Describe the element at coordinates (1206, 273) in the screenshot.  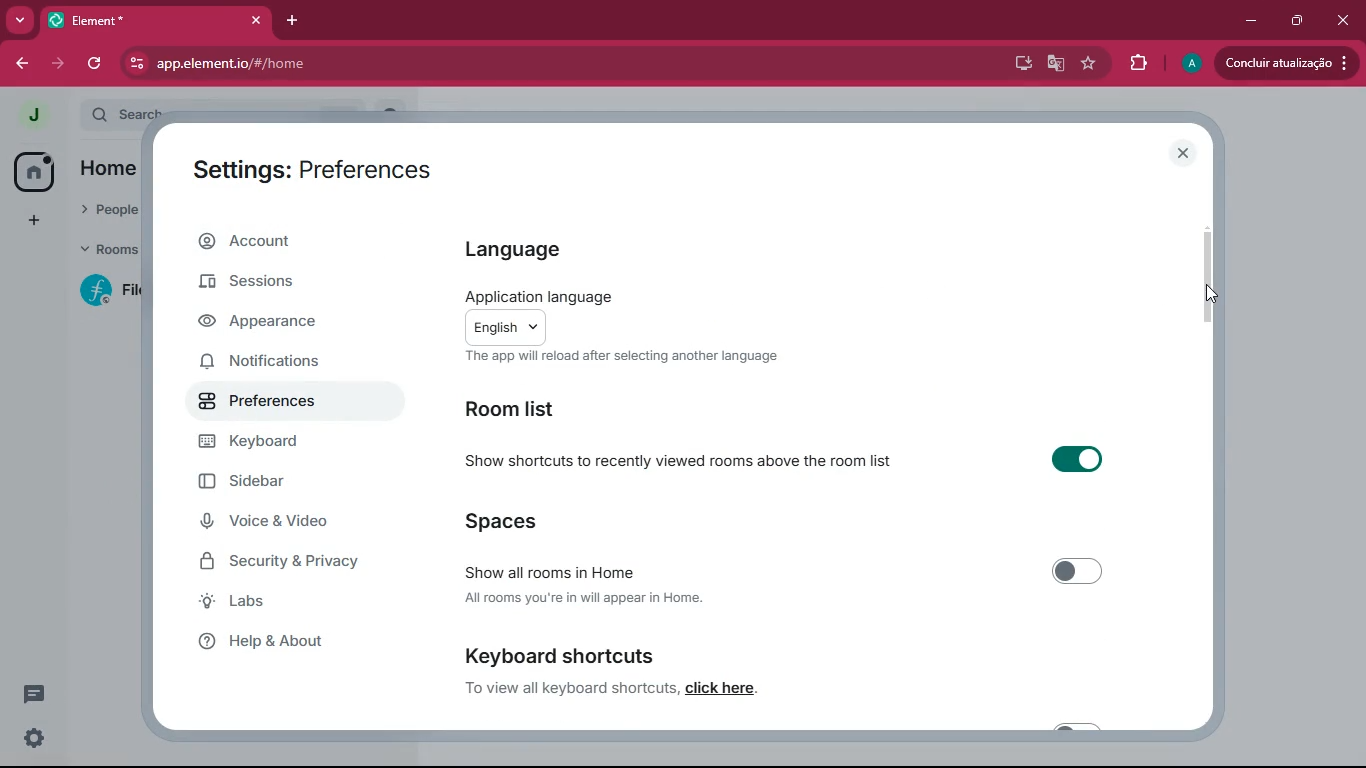
I see `scroll bar` at that location.